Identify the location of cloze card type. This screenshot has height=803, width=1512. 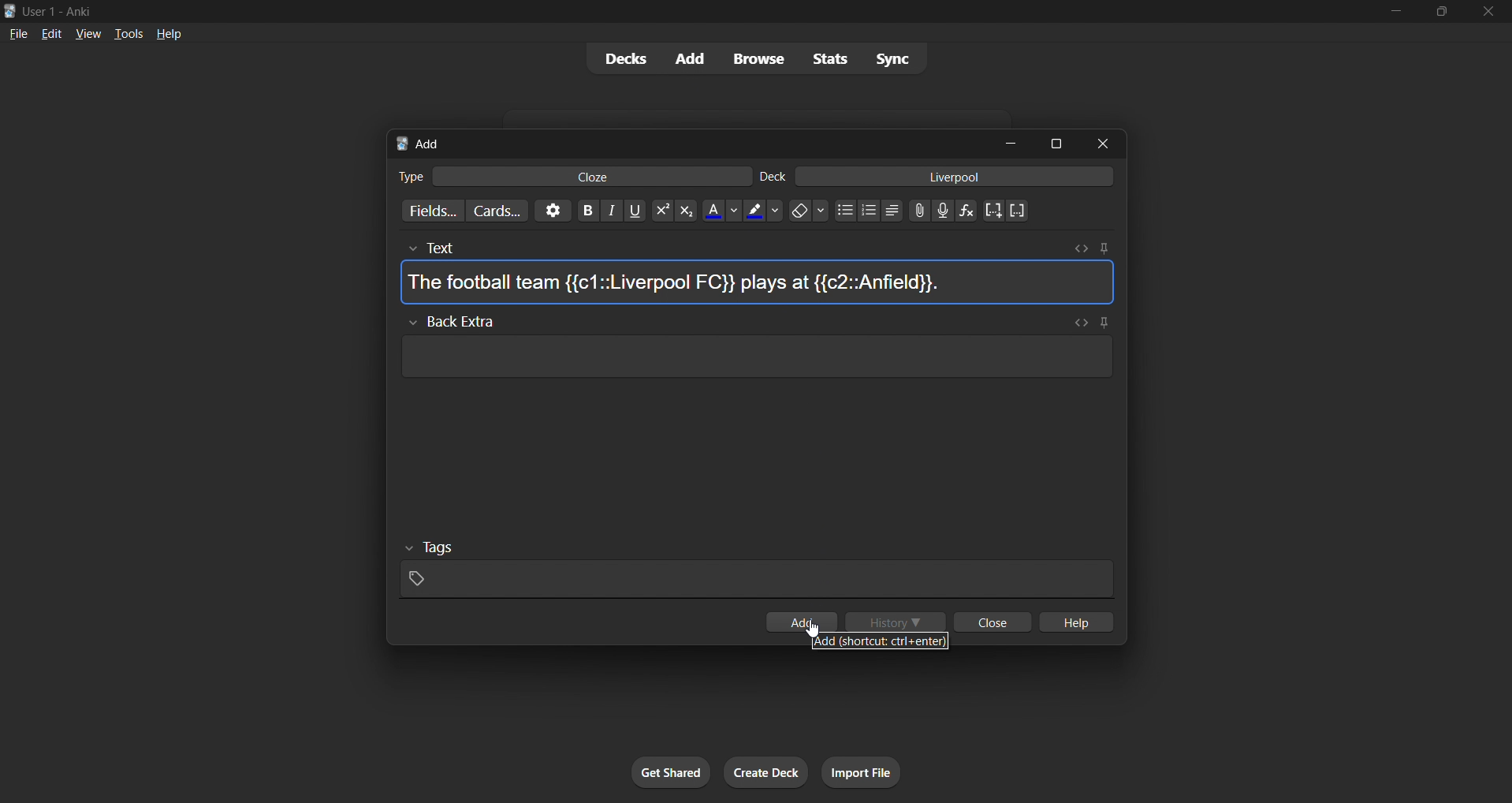
(594, 177).